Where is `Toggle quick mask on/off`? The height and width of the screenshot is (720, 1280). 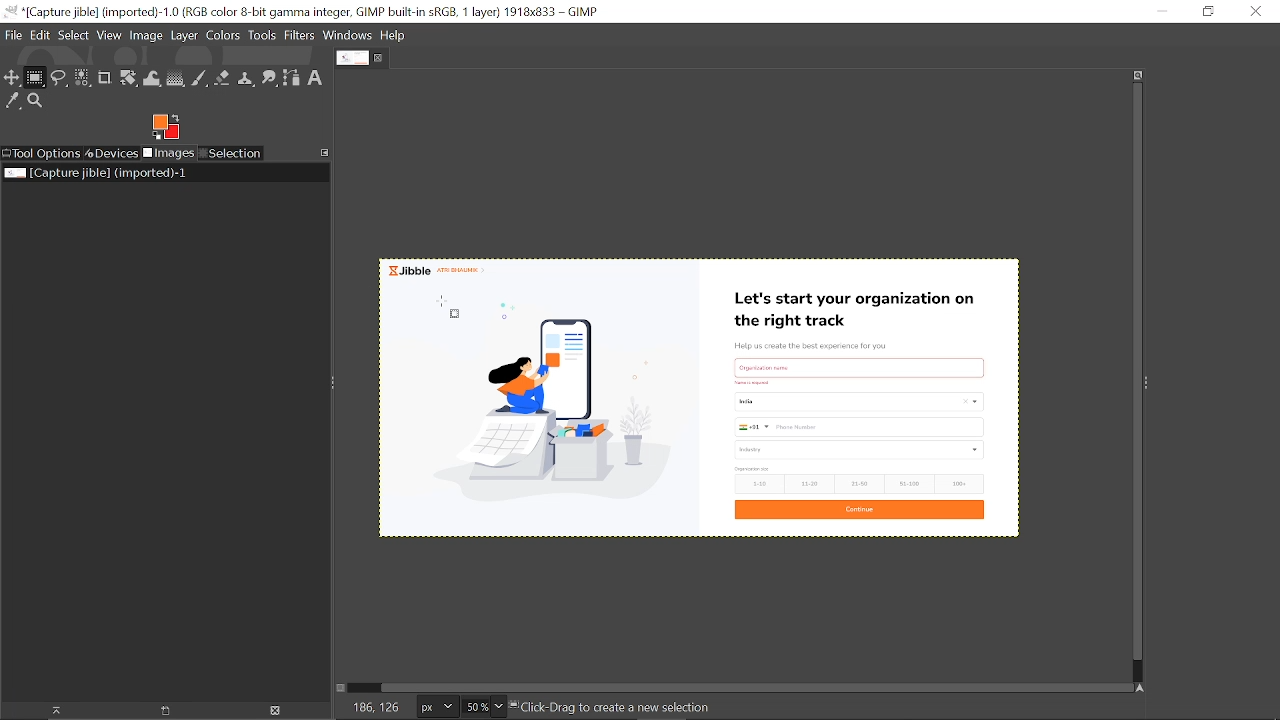 Toggle quick mask on/off is located at coordinates (344, 689).